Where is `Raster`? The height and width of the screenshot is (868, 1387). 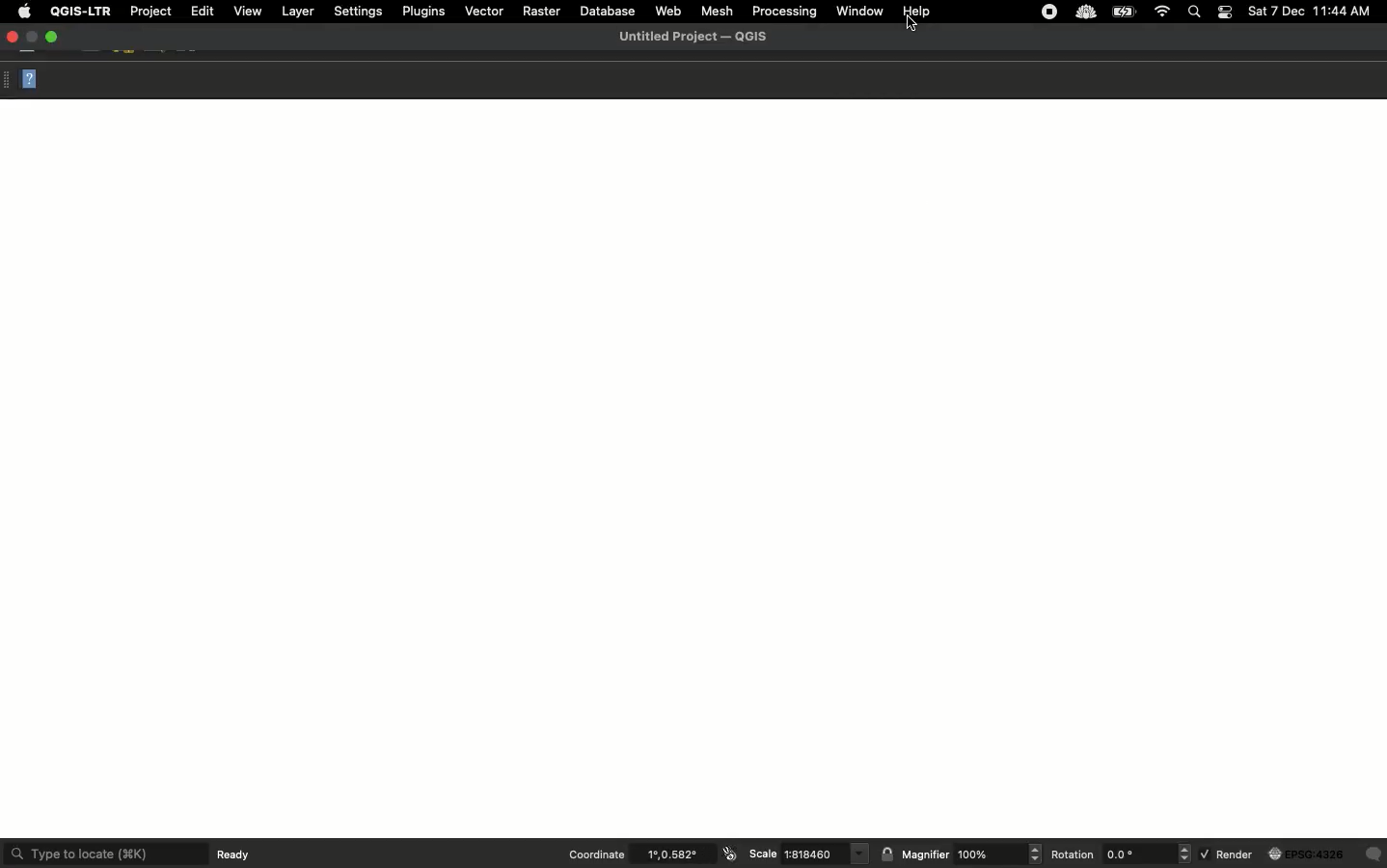
Raster is located at coordinates (542, 10).